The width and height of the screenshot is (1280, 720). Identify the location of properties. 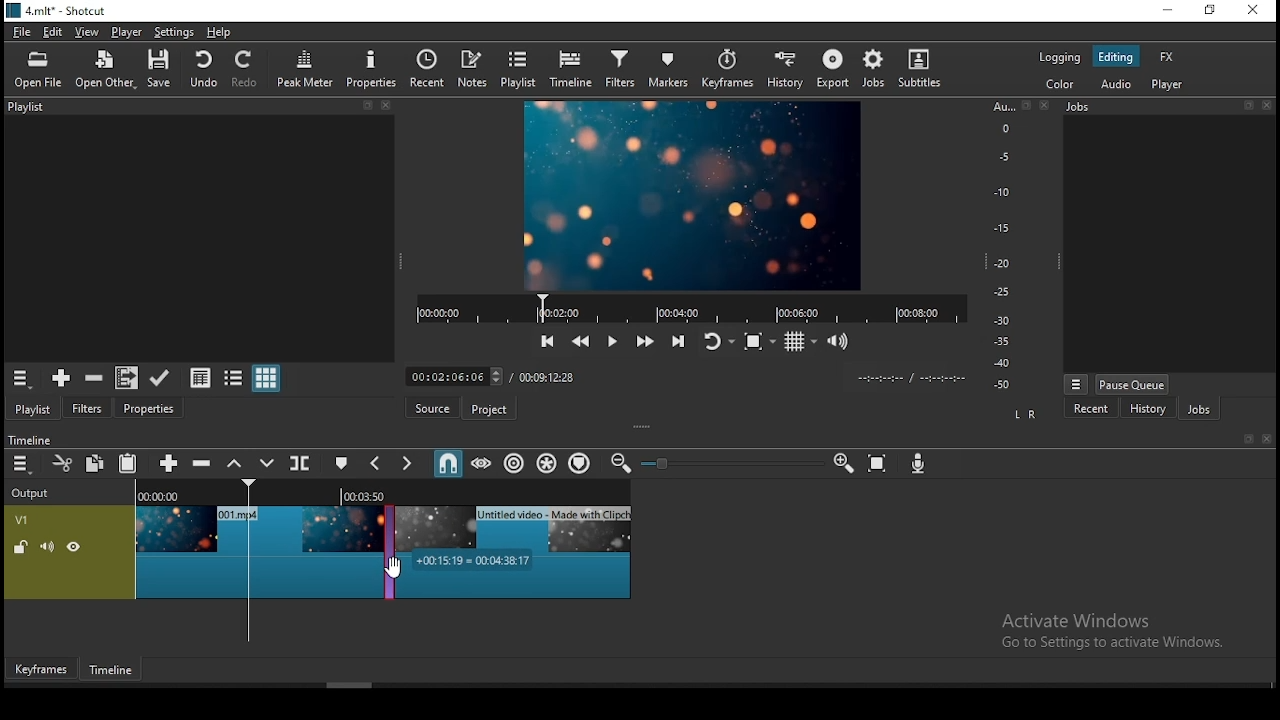
(371, 68).